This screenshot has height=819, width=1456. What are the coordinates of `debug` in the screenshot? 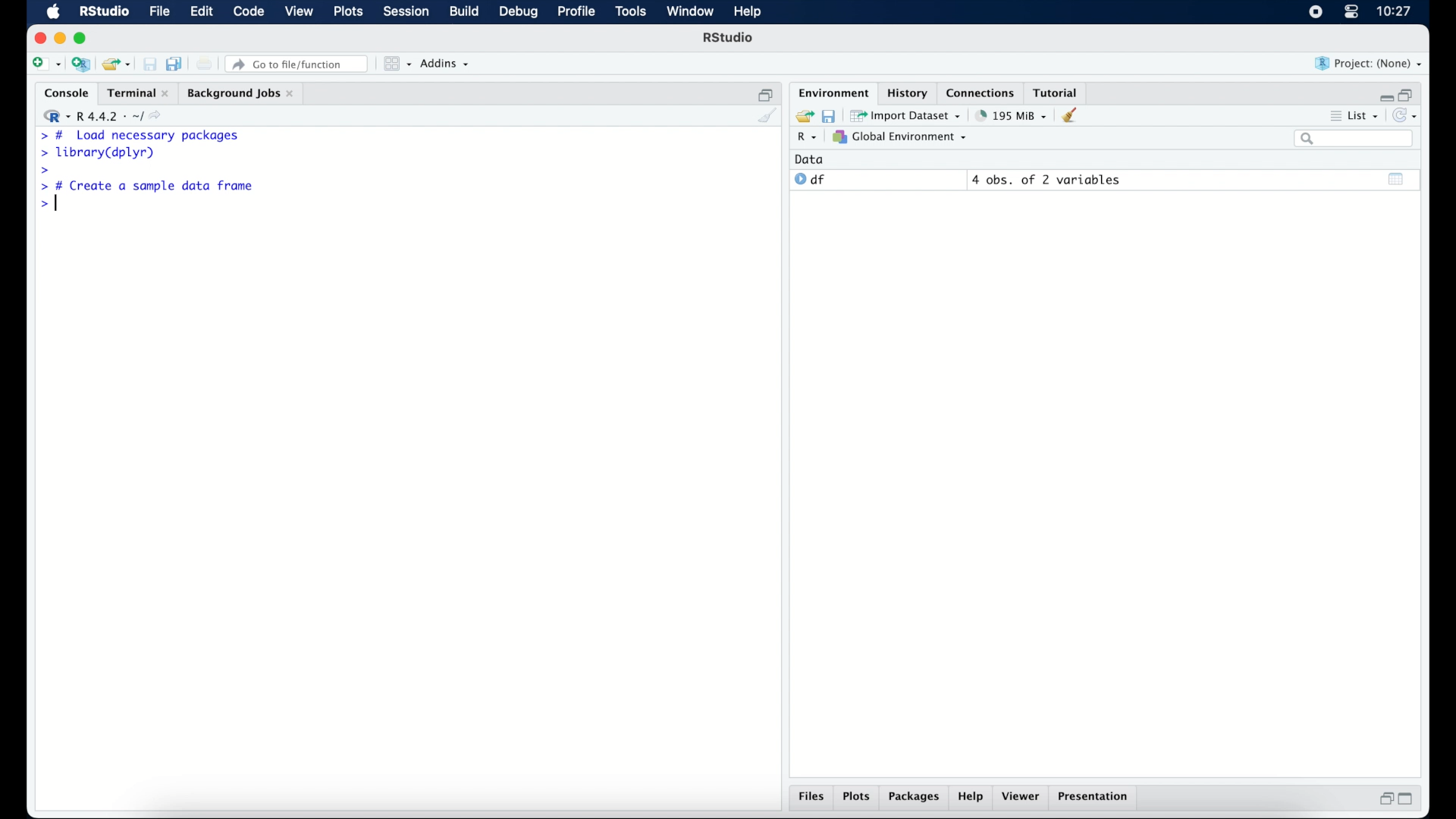 It's located at (519, 13).